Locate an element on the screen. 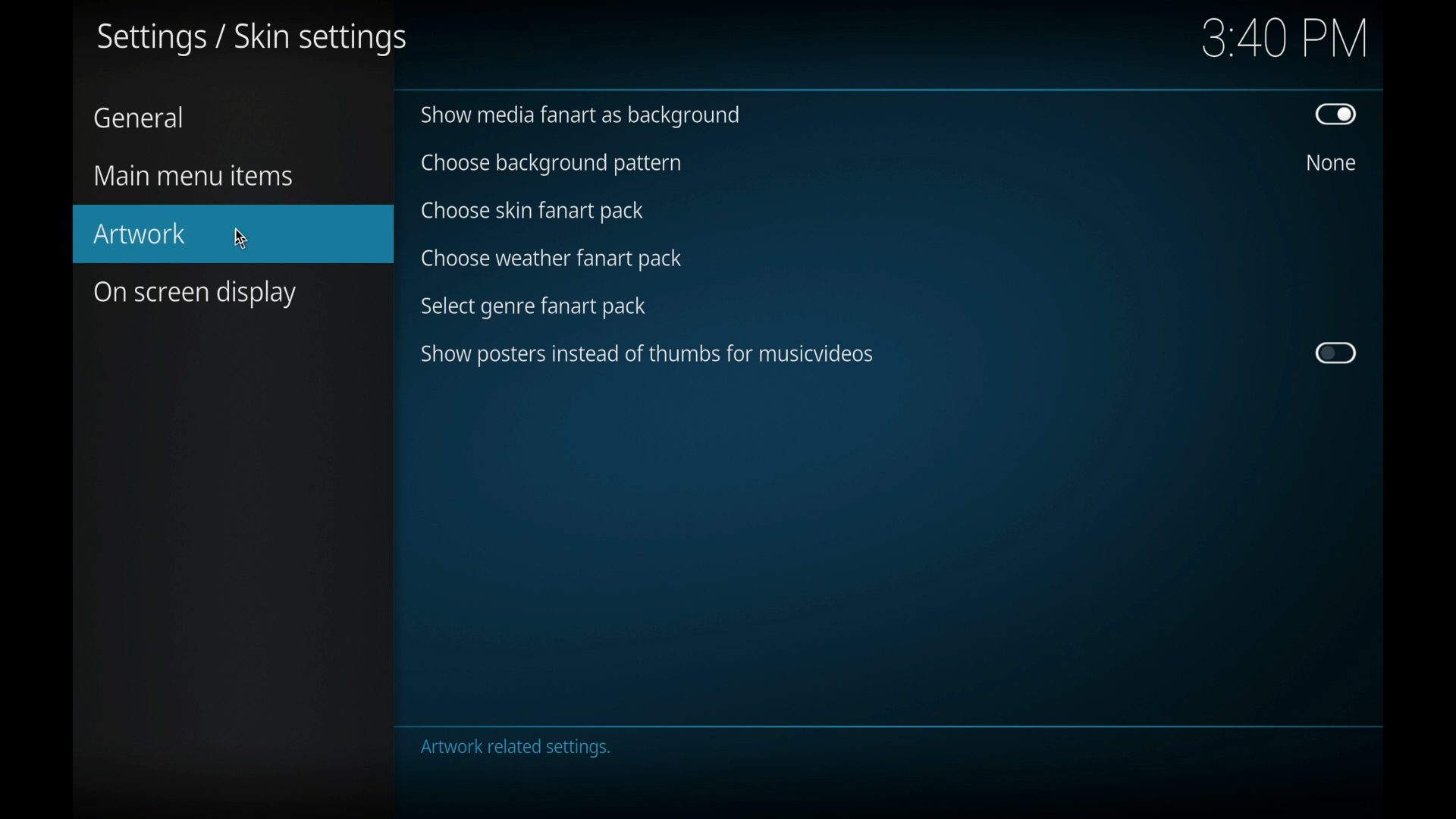 The width and height of the screenshot is (1456, 819). choose skin is located at coordinates (532, 212).